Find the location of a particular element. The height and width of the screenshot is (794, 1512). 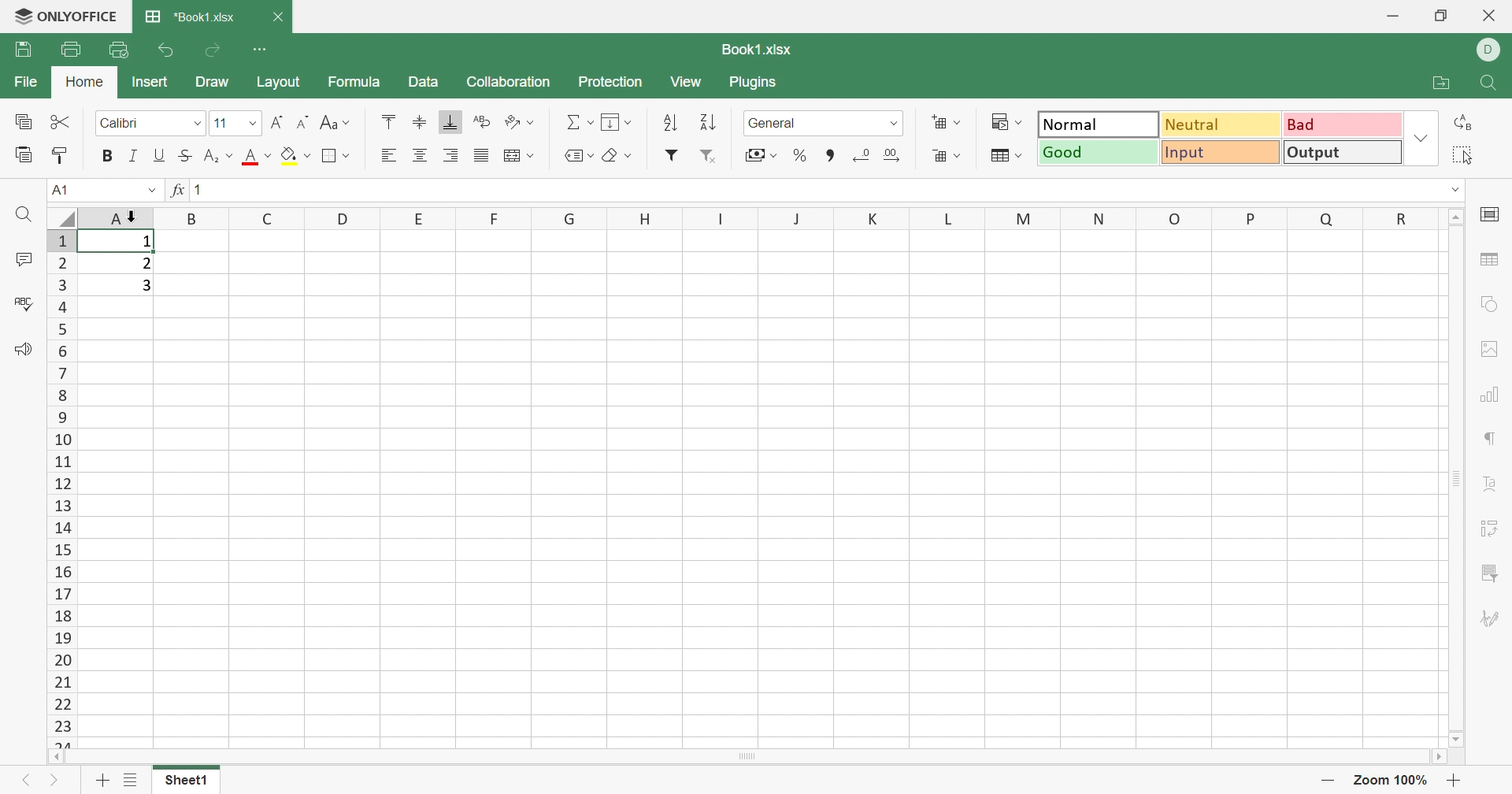

Align left is located at coordinates (388, 155).